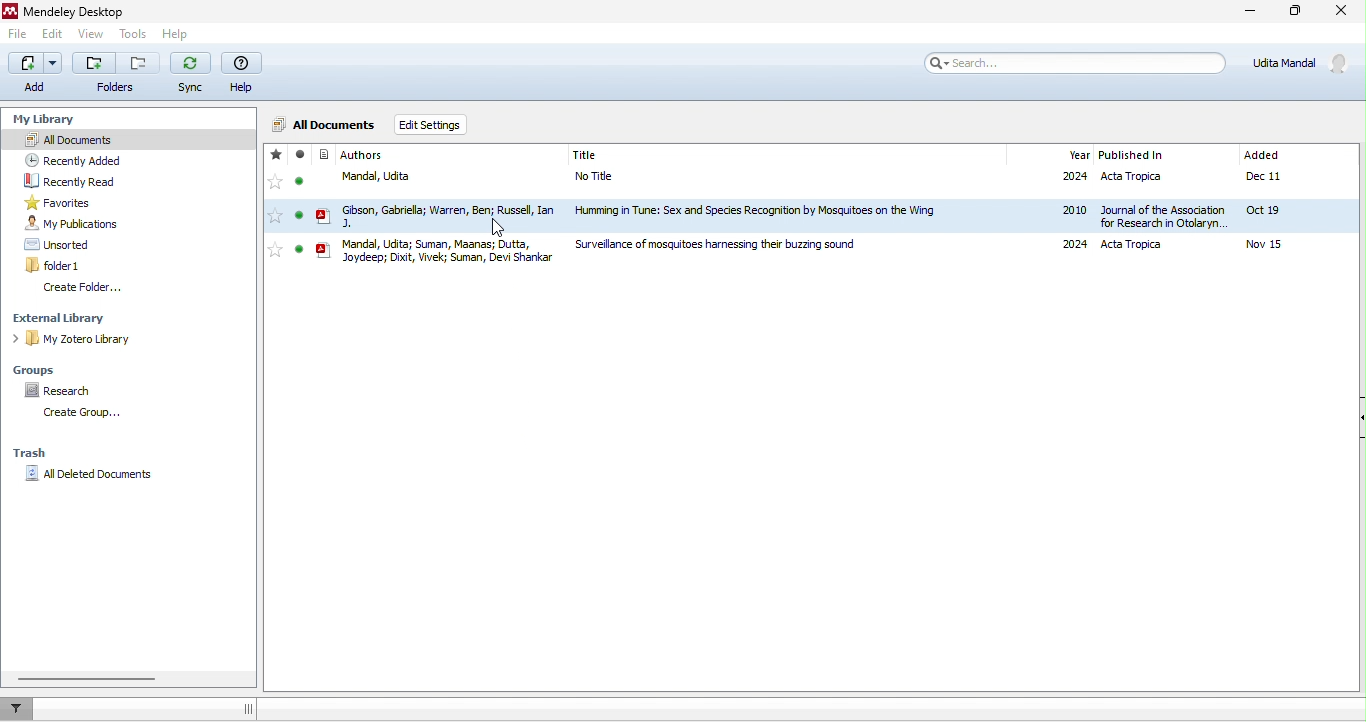 The height and width of the screenshot is (722, 1366). Describe the element at coordinates (83, 677) in the screenshot. I see `horizontal scroll bar` at that location.